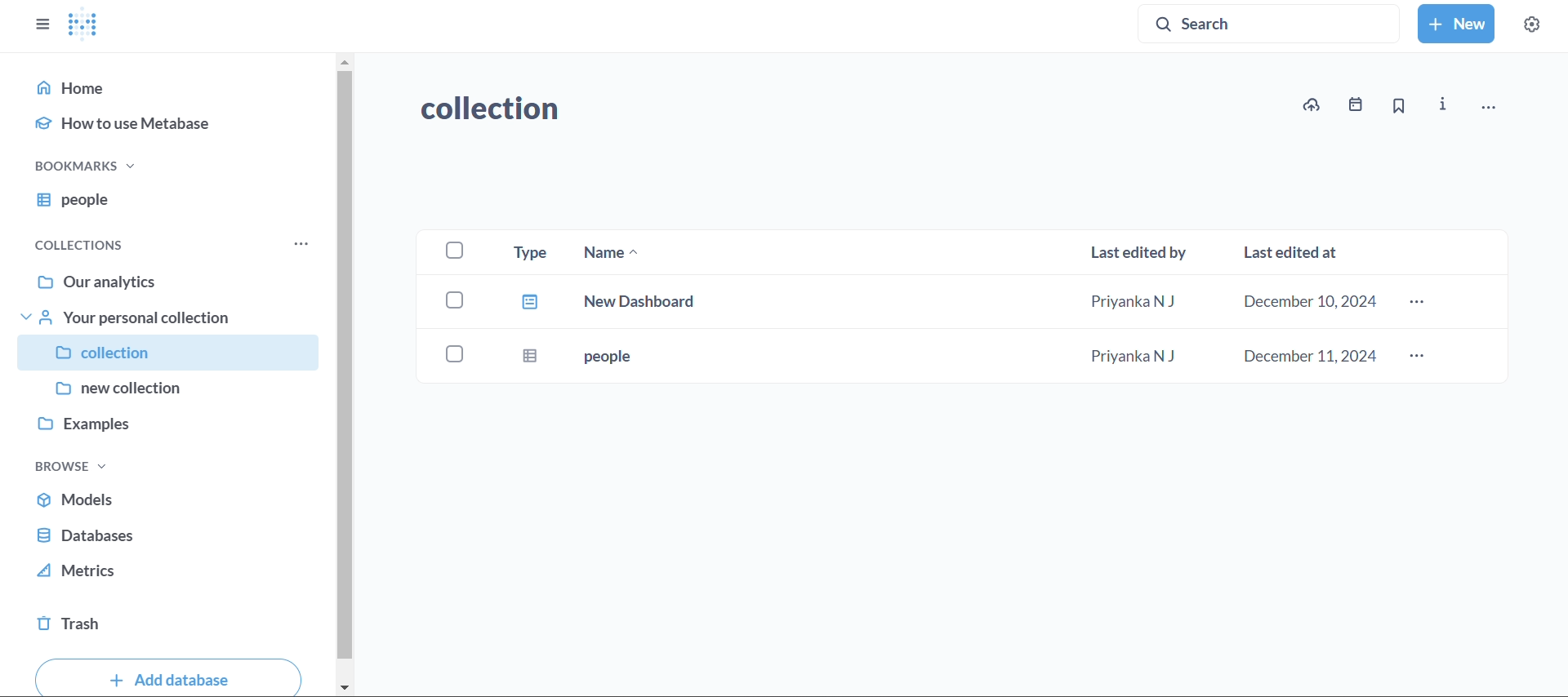 The image size is (1568, 697). Describe the element at coordinates (153, 200) in the screenshot. I see `people` at that location.